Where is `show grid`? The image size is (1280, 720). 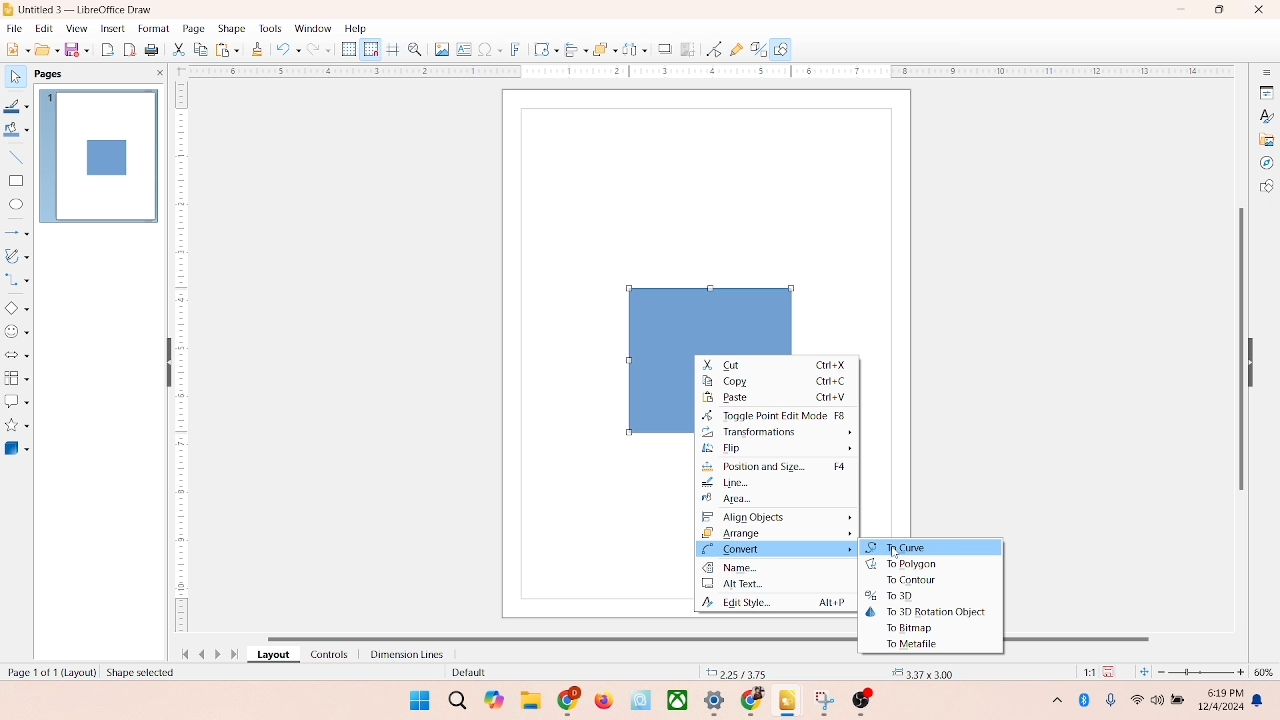 show grid is located at coordinates (348, 50).